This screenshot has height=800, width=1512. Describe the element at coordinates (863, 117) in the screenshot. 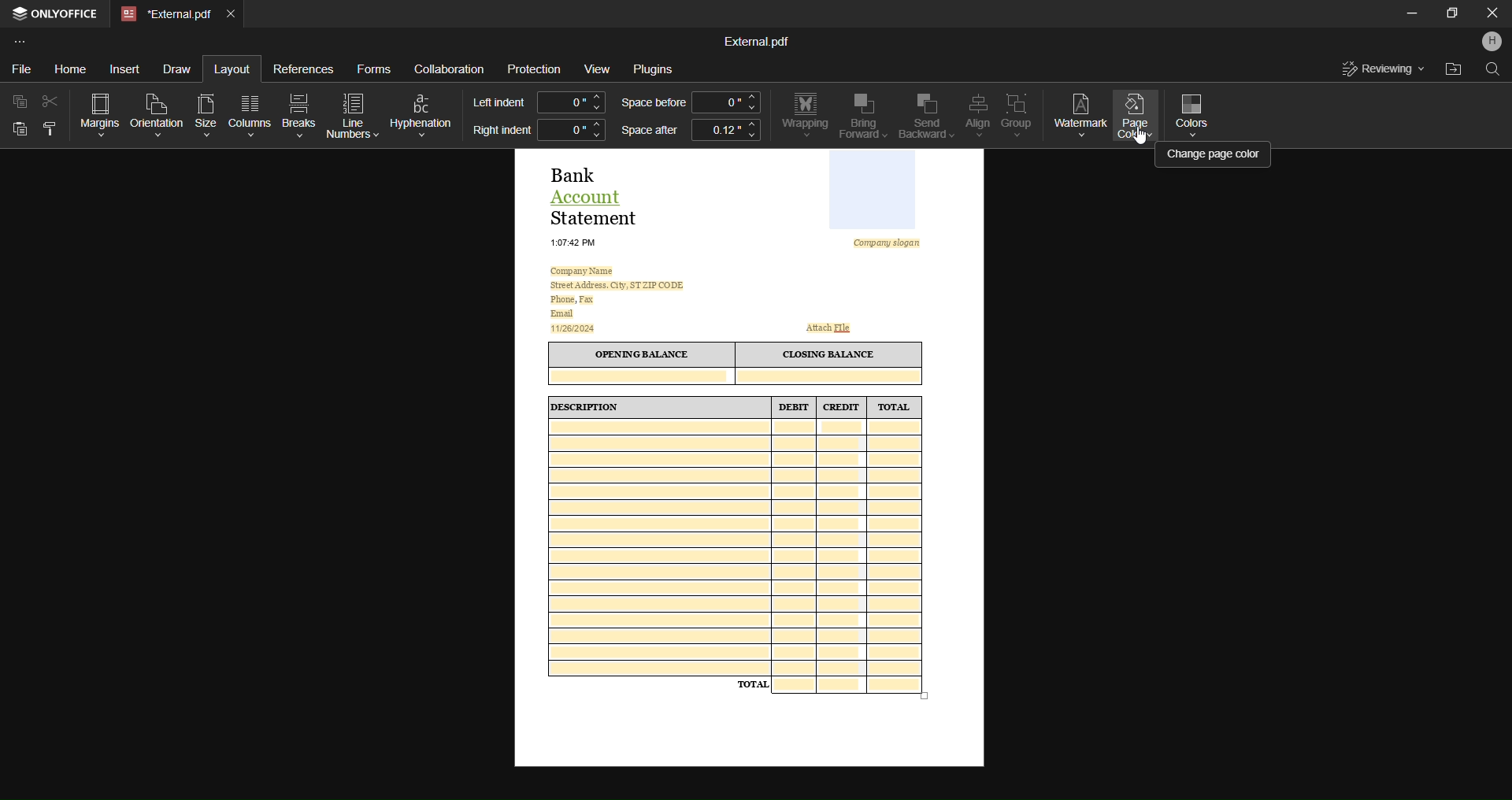

I see `Move Forward` at that location.